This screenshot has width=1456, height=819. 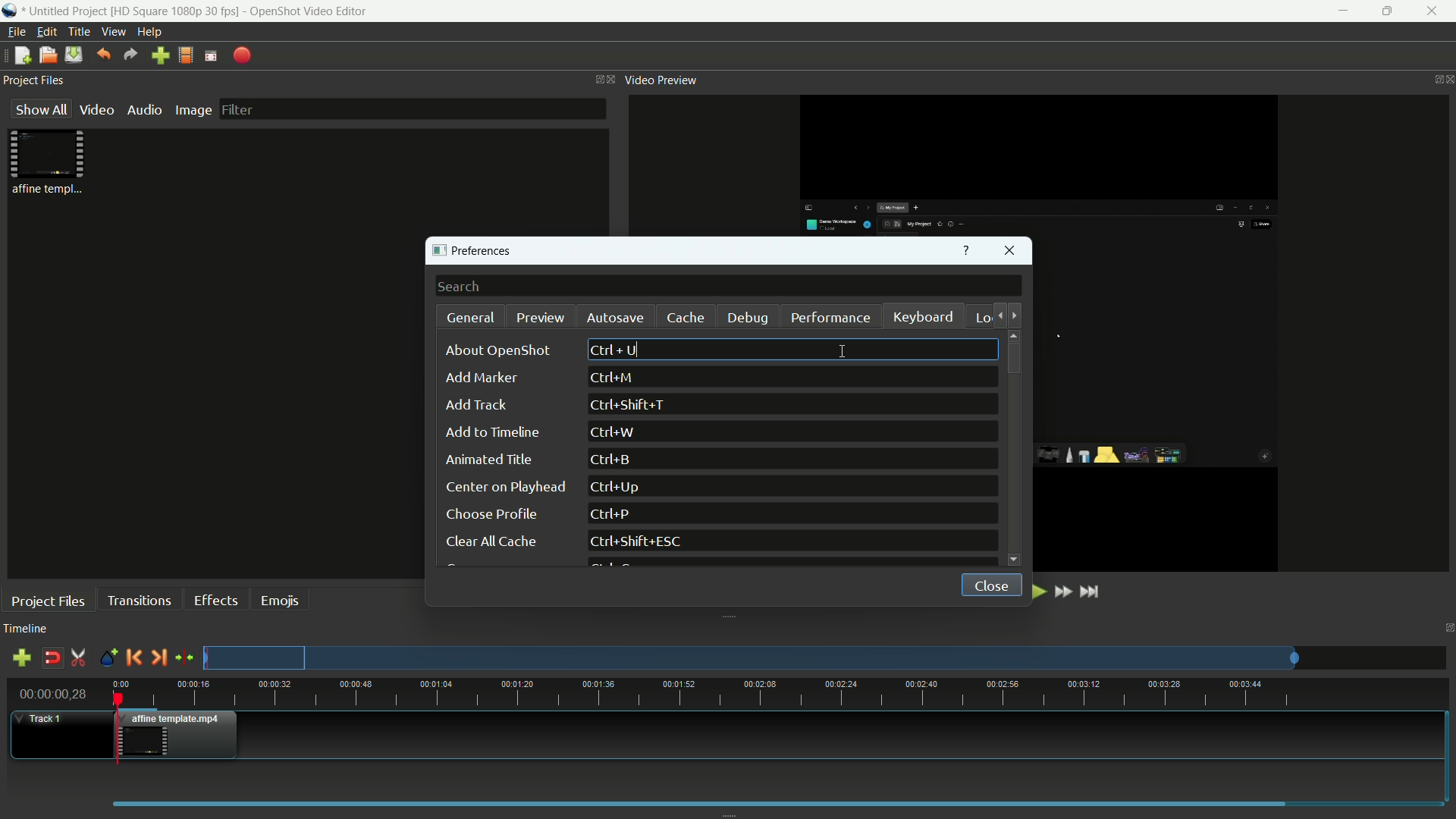 I want to click on profile, so click(x=186, y=55).